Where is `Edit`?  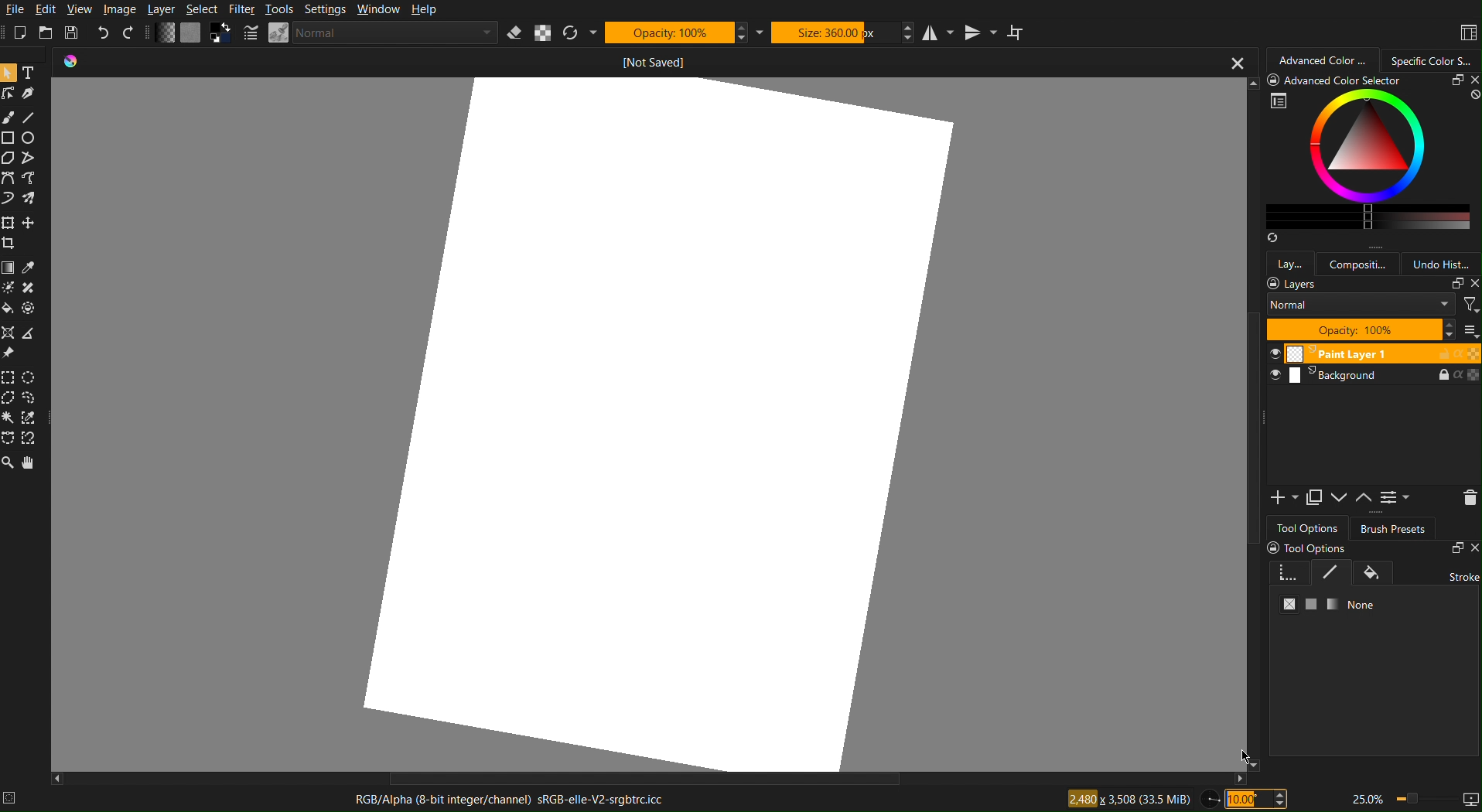 Edit is located at coordinates (49, 9).